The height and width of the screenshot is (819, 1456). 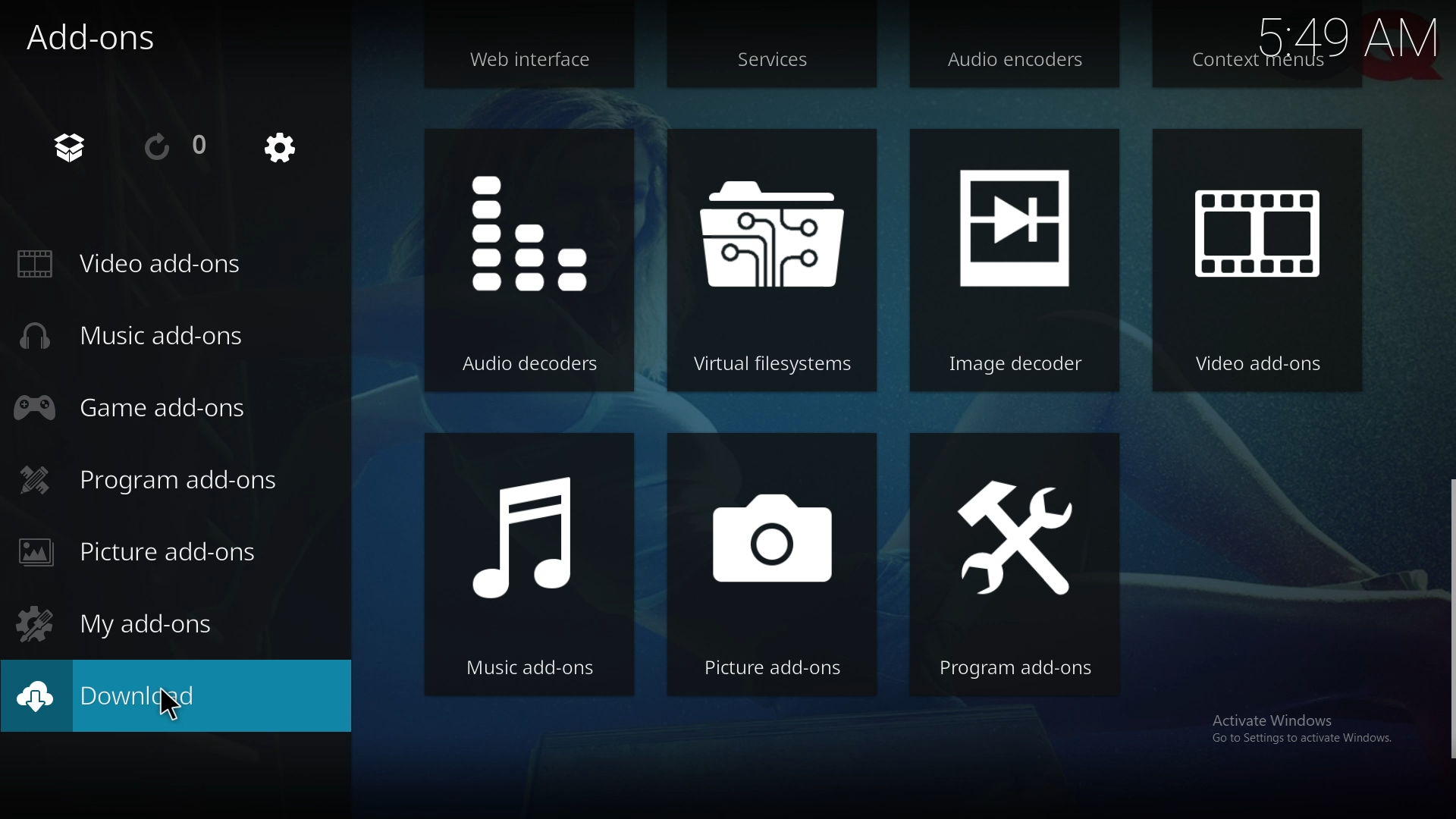 I want to click on virtual file system, so click(x=773, y=260).